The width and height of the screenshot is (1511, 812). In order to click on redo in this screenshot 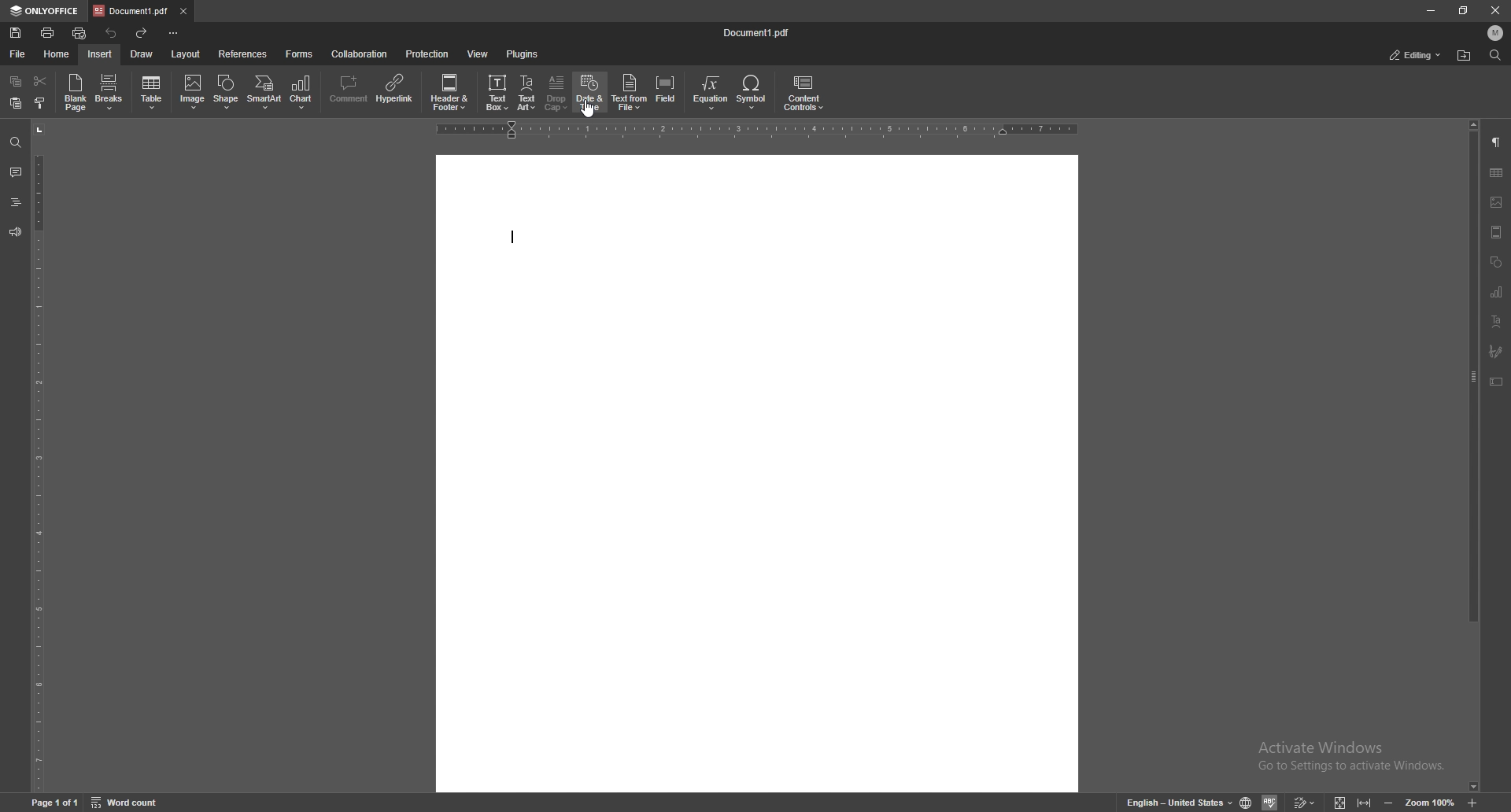, I will do `click(142, 33)`.